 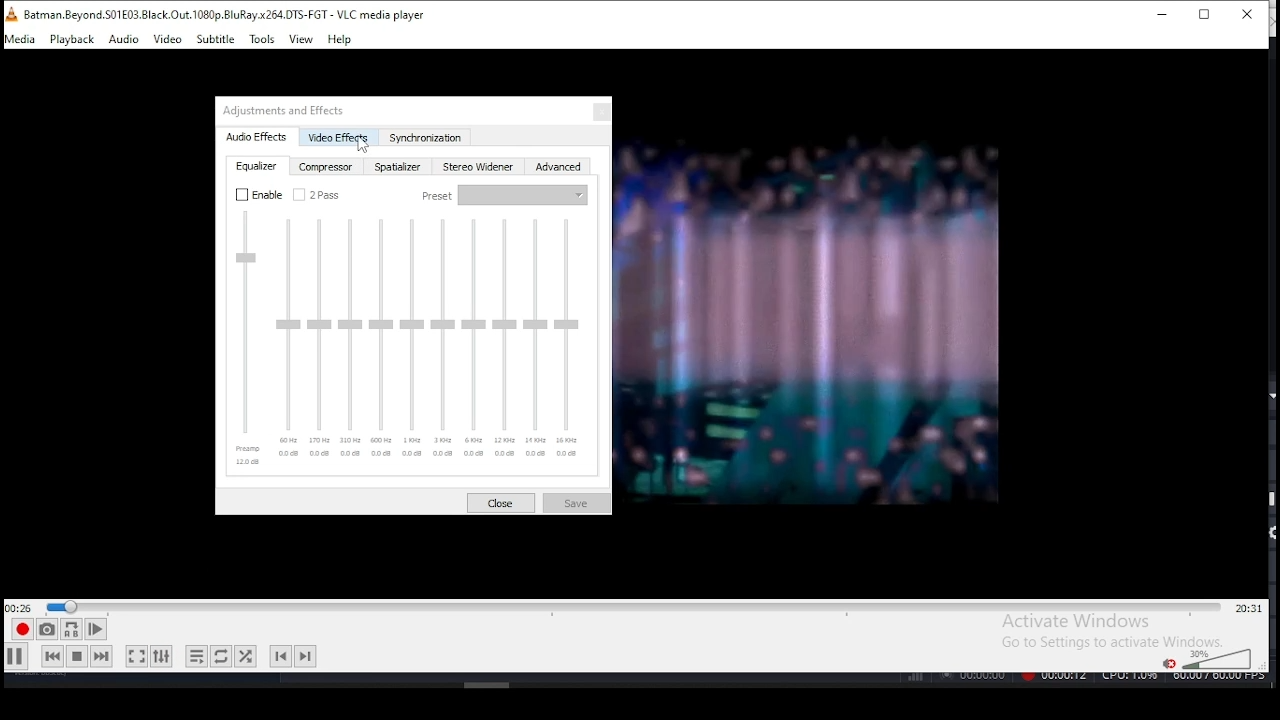 What do you see at coordinates (410, 341) in the screenshot?
I see `` at bounding box center [410, 341].